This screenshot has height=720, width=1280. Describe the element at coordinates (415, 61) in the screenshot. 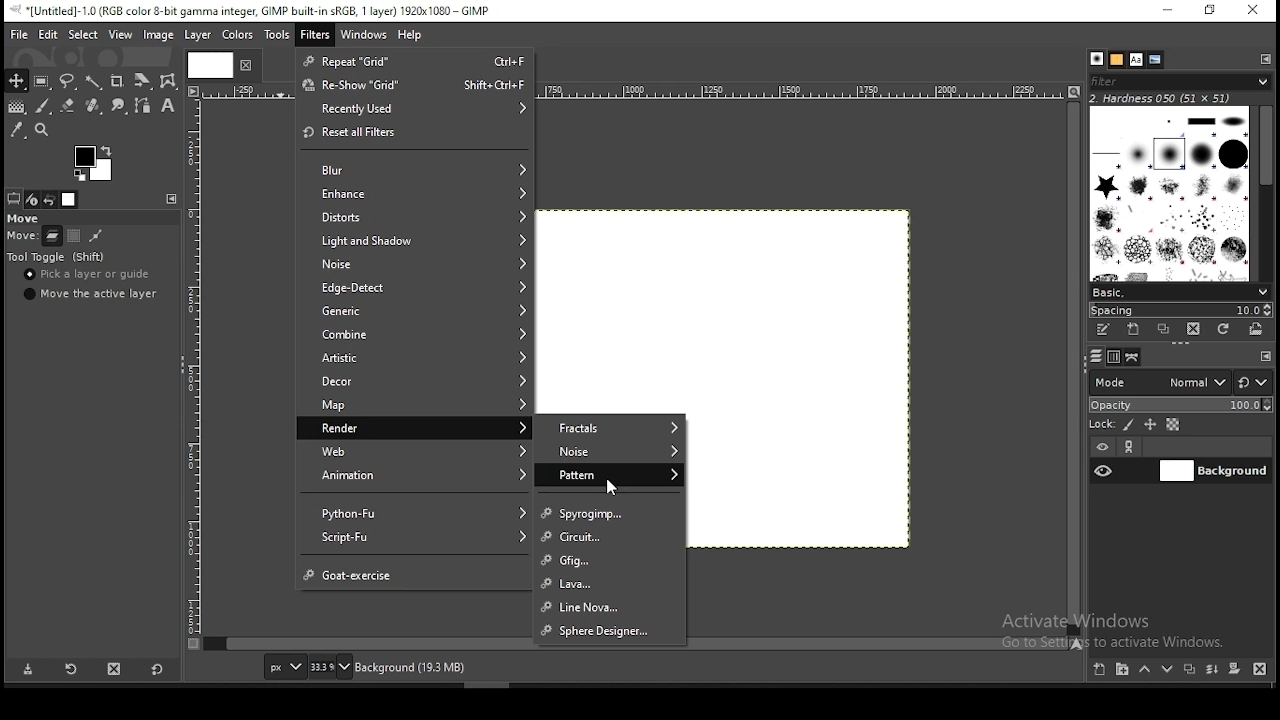

I see `repeat` at that location.